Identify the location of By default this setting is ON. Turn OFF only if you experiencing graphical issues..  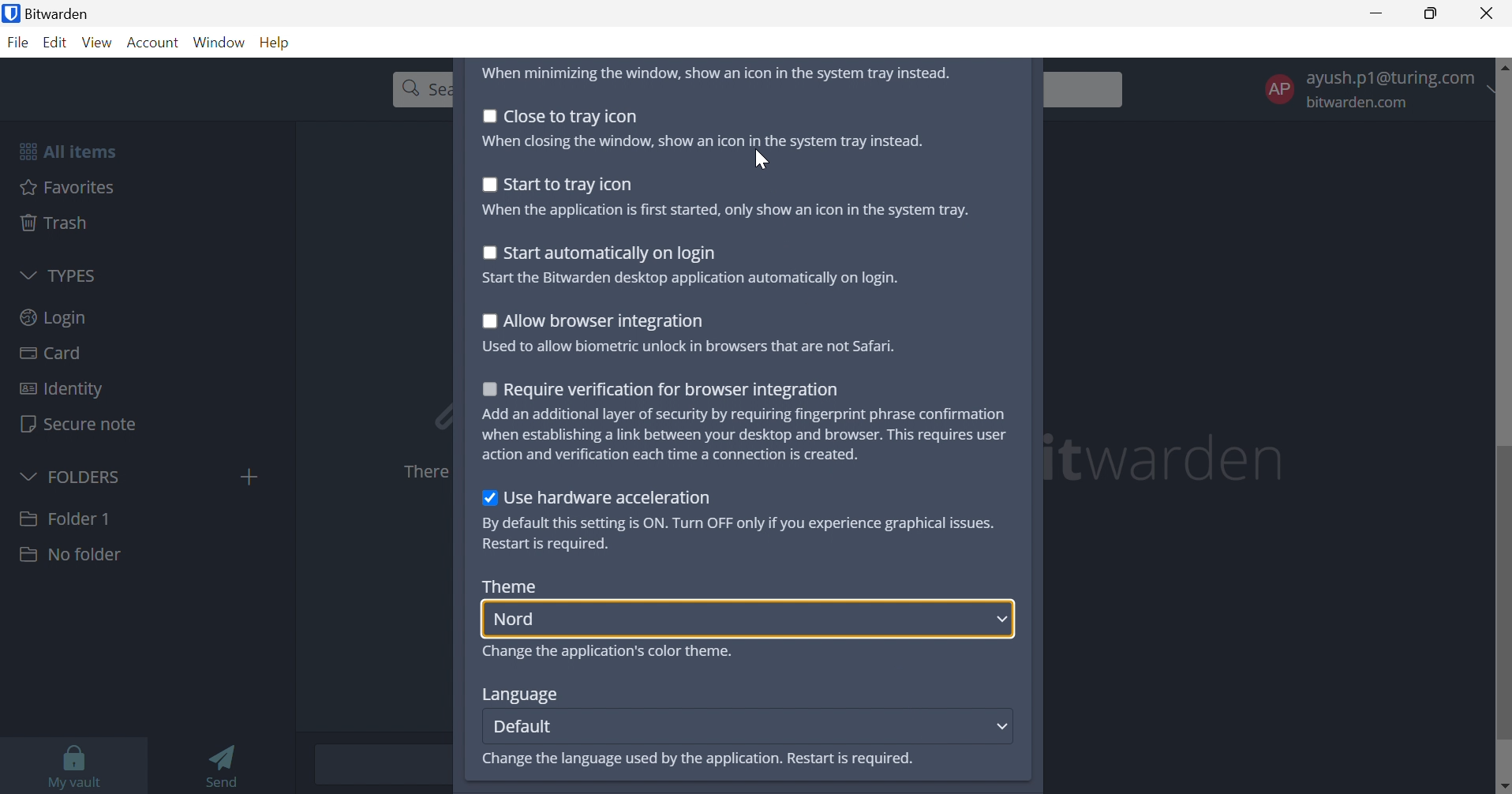
(738, 523).